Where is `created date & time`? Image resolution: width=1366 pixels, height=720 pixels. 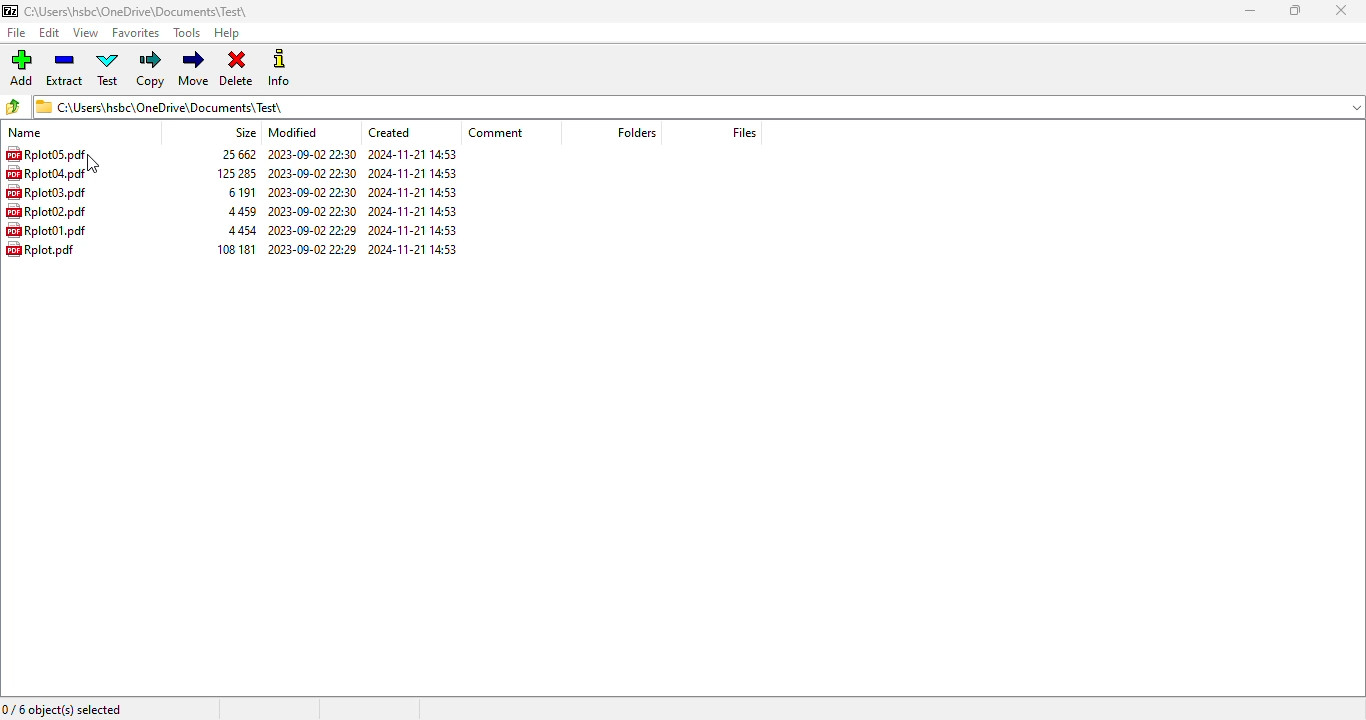
created date & time is located at coordinates (414, 248).